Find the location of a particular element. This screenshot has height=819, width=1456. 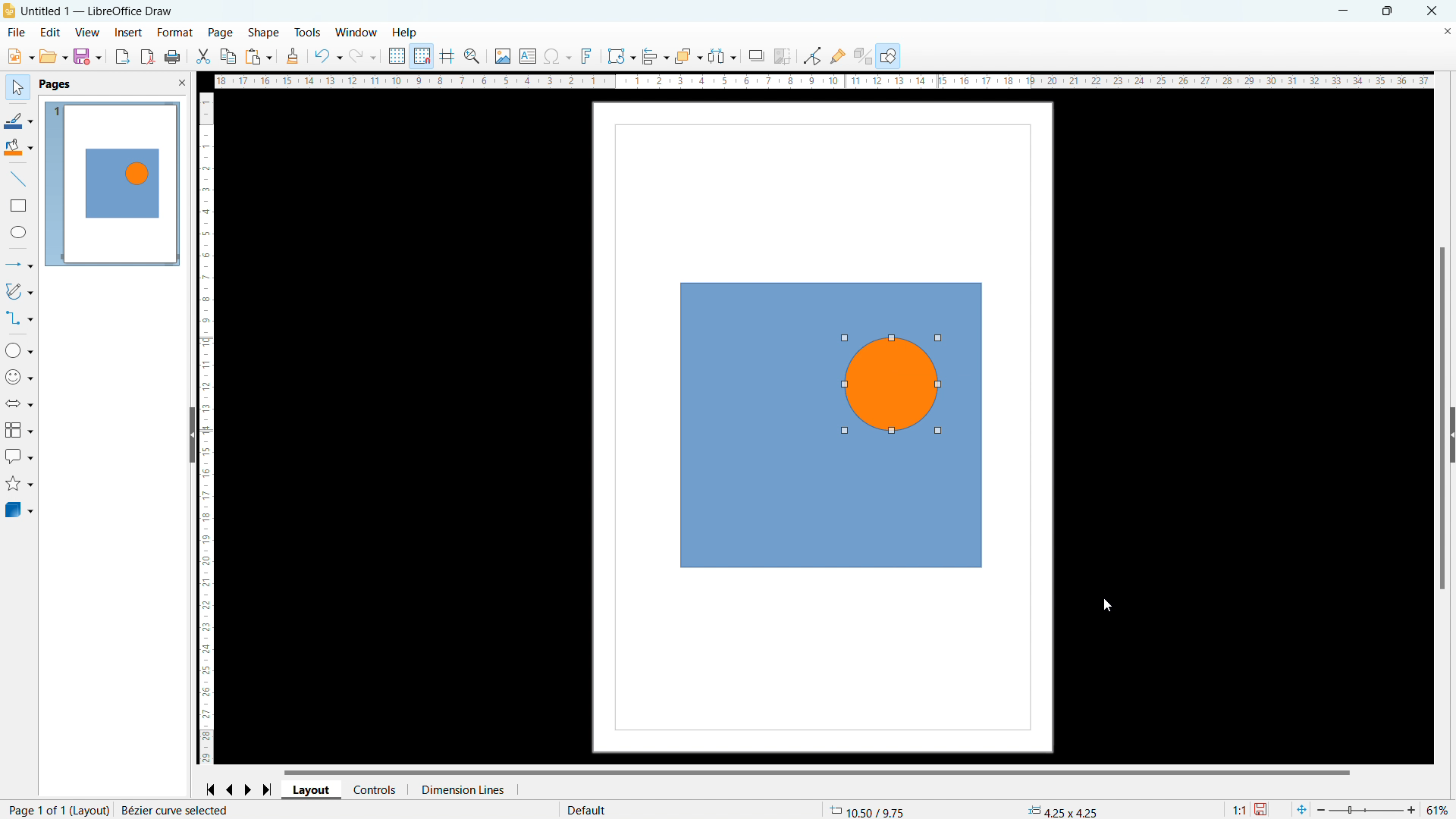

zoom in is located at coordinates (1413, 810).